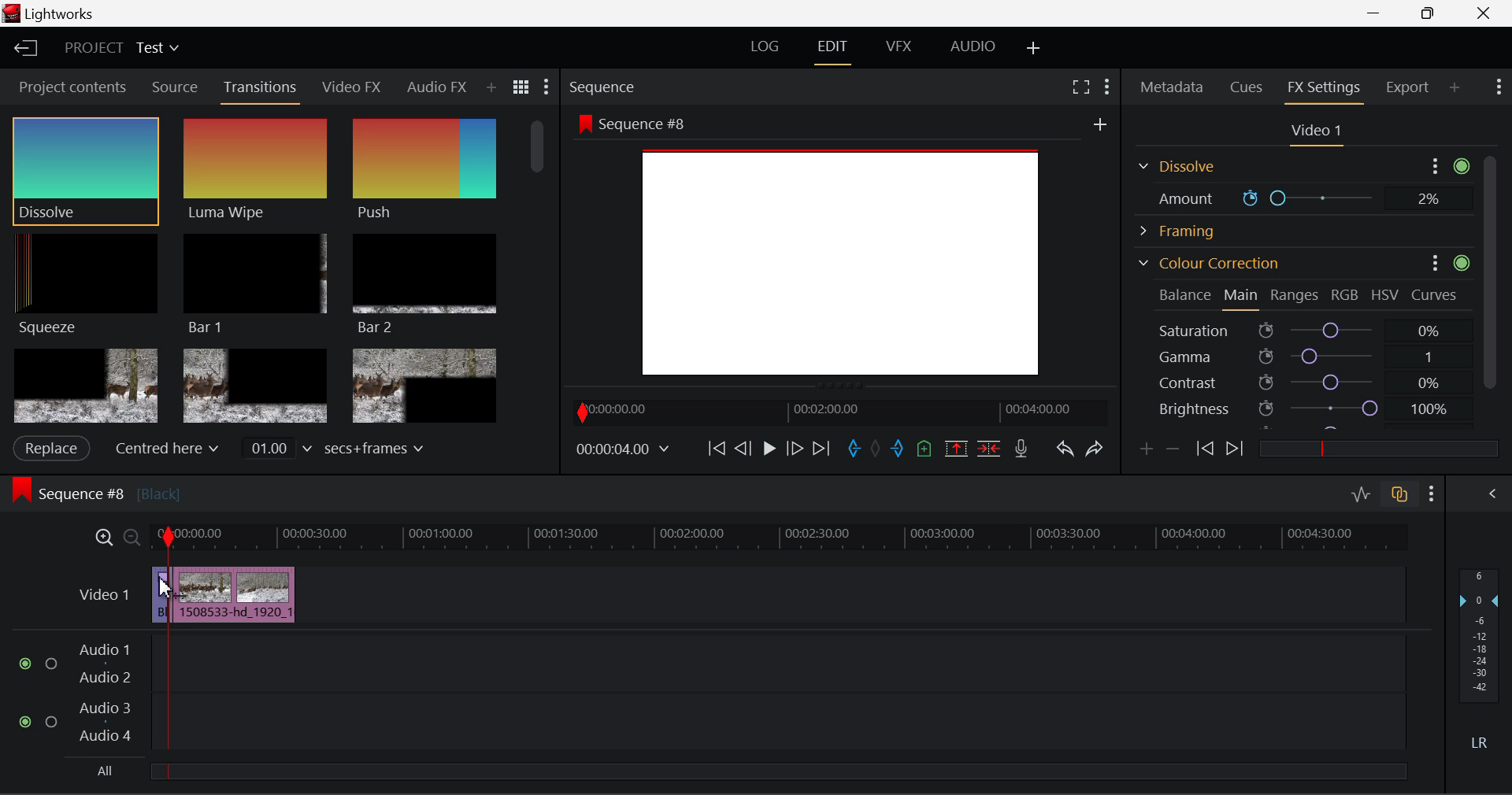  What do you see at coordinates (1207, 263) in the screenshot?
I see `Colour correction` at bounding box center [1207, 263].